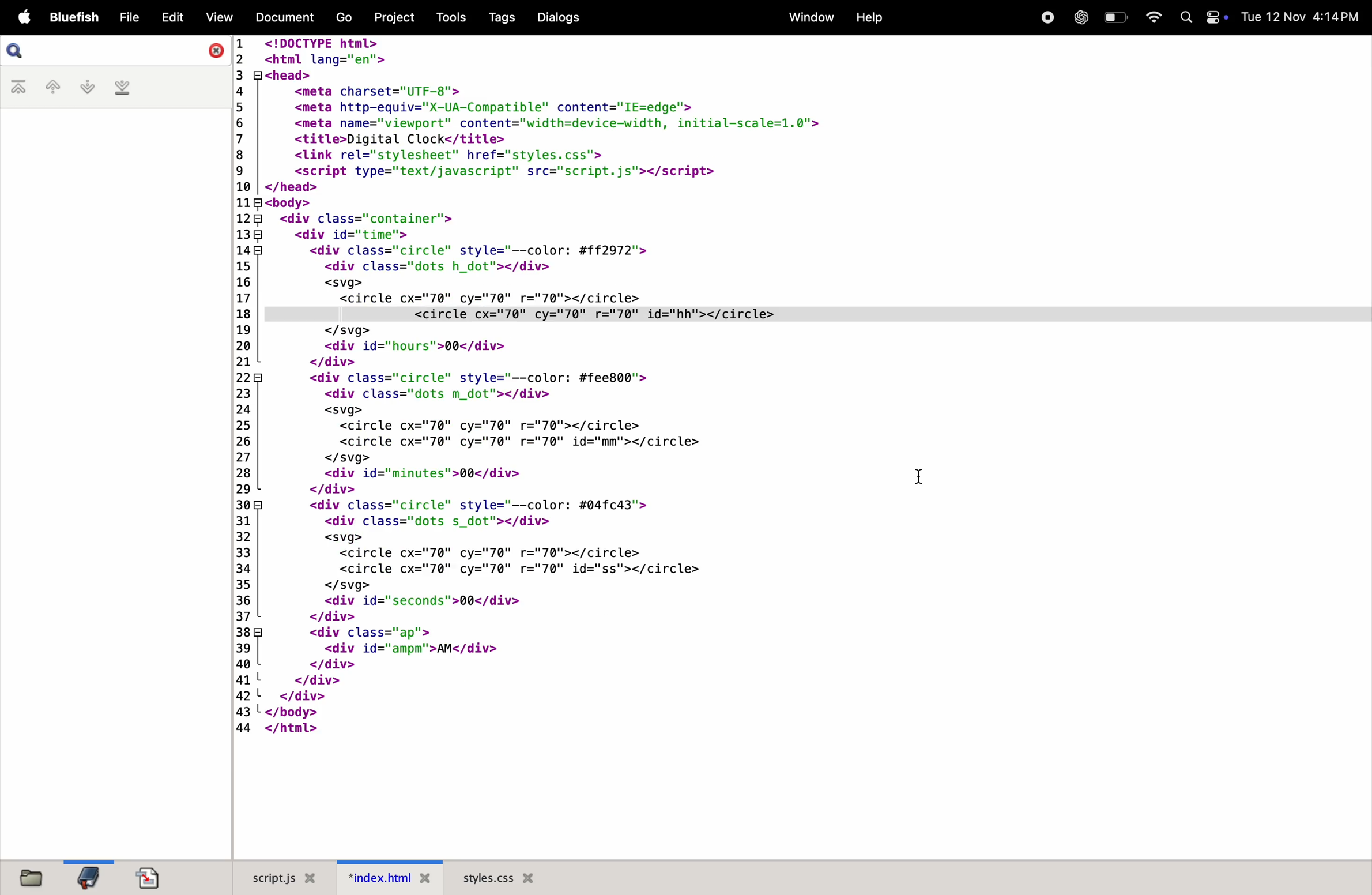 This screenshot has width=1372, height=895. Describe the element at coordinates (1116, 16) in the screenshot. I see `battery` at that location.